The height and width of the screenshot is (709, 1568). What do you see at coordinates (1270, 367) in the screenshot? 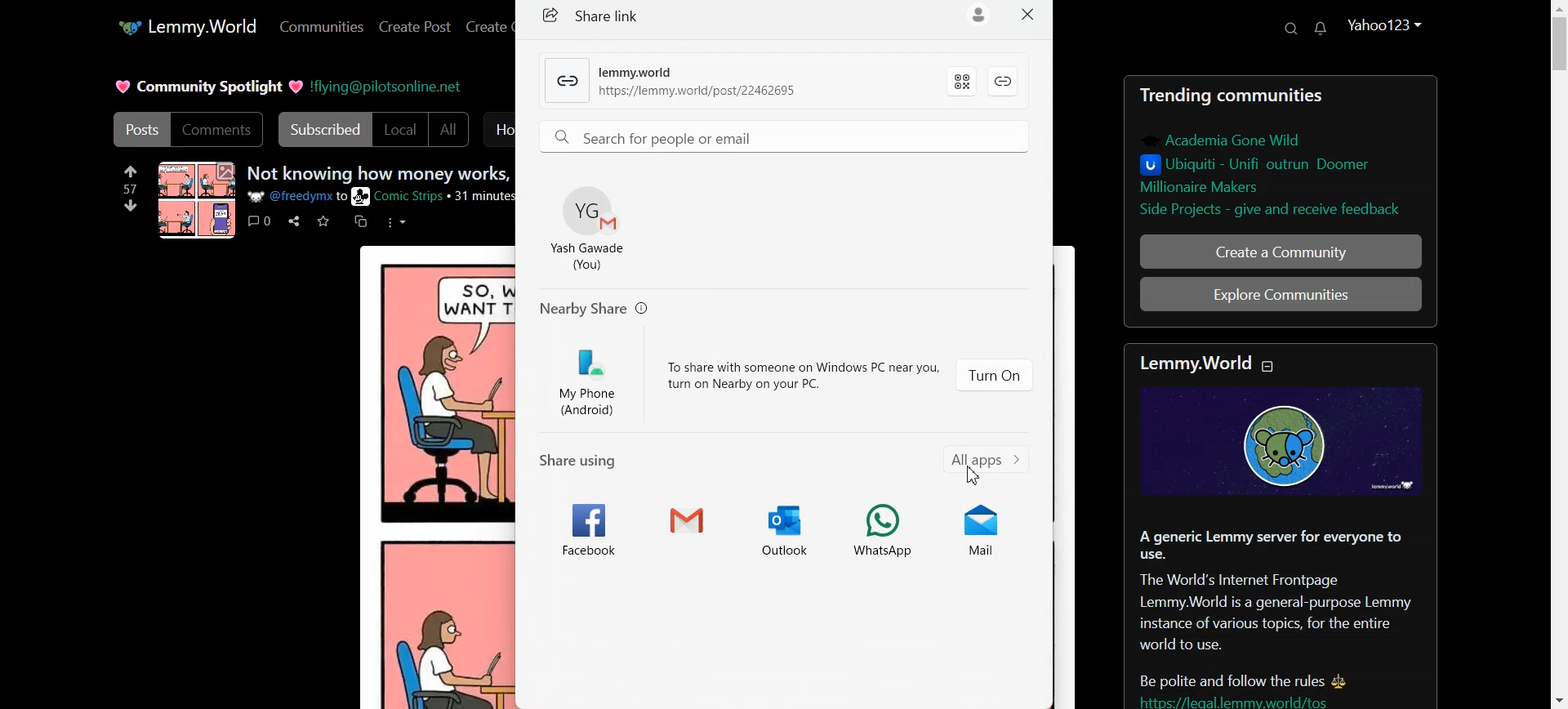
I see `Collapse` at bounding box center [1270, 367].